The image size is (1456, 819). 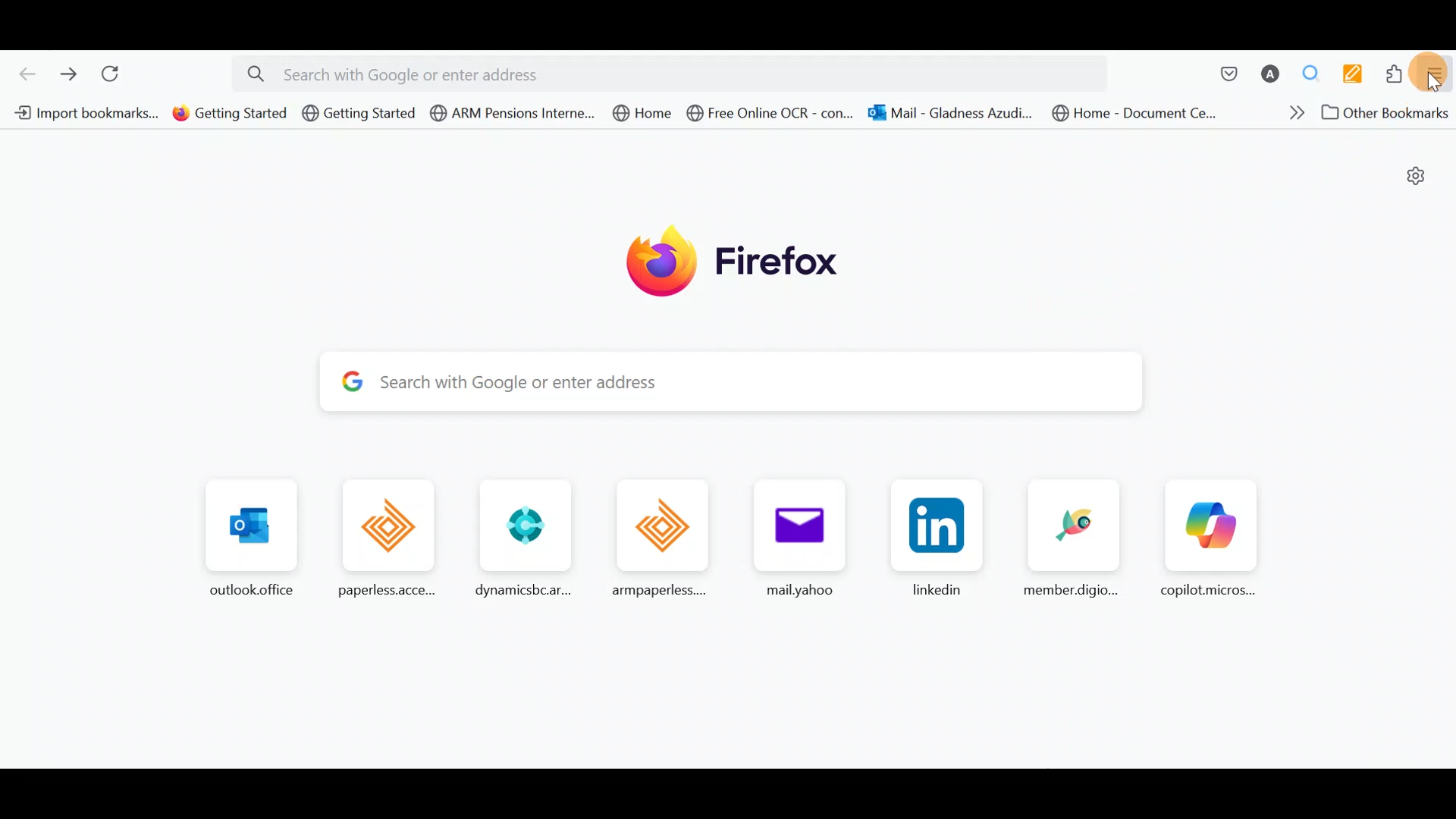 What do you see at coordinates (81, 113) in the screenshot?
I see `Bookmarks` at bounding box center [81, 113].